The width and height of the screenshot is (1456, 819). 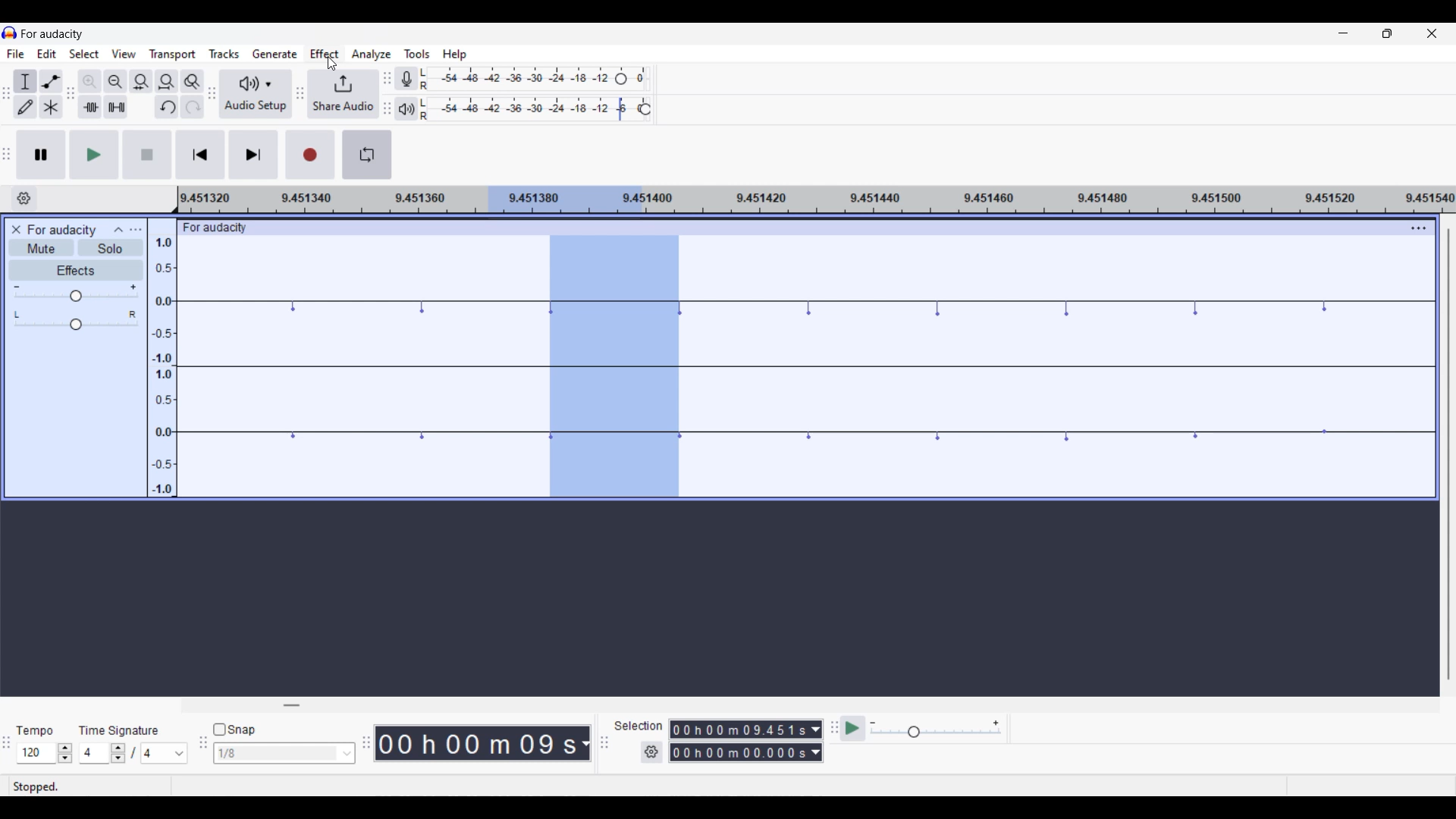 What do you see at coordinates (89, 82) in the screenshot?
I see `Zoom in` at bounding box center [89, 82].